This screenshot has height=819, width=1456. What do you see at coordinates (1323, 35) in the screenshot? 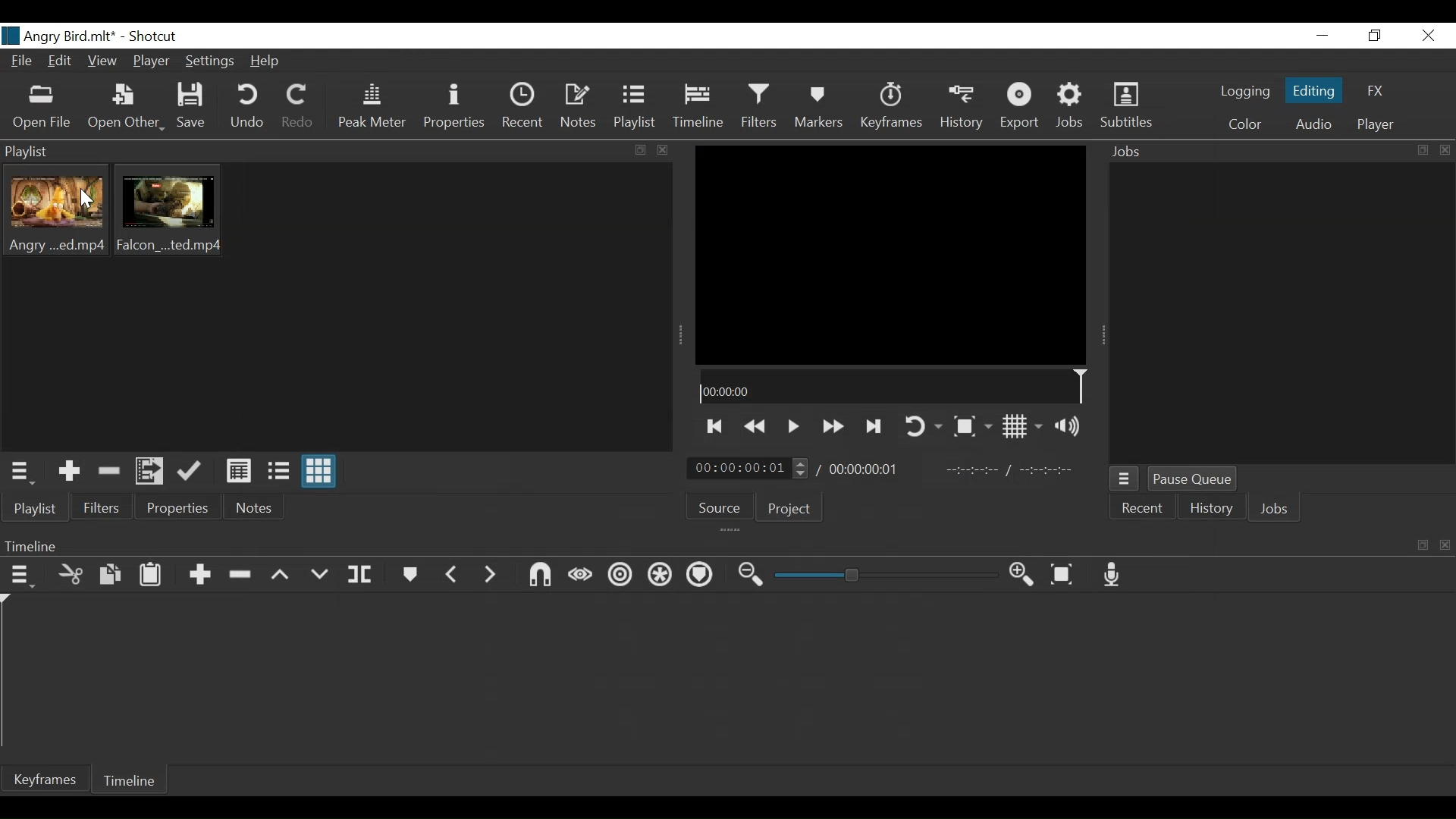
I see `Minimize` at bounding box center [1323, 35].